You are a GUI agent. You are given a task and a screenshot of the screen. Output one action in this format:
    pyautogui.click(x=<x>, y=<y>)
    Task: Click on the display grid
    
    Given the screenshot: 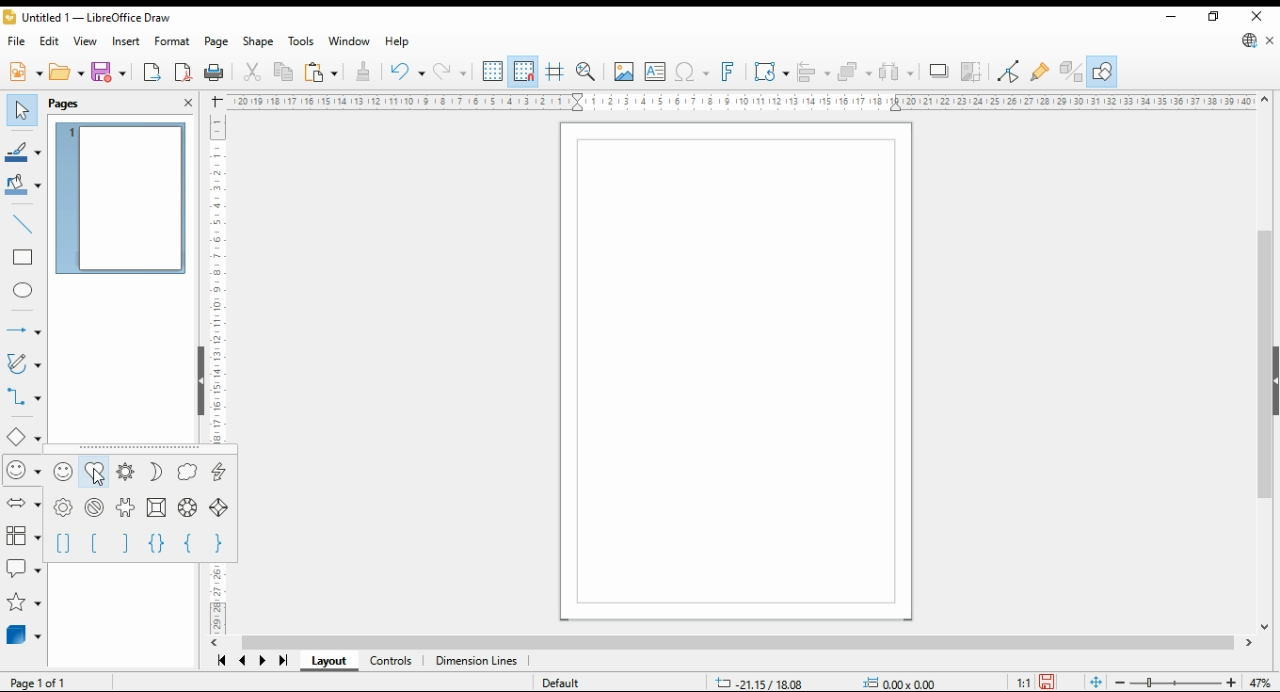 What is the action you would take?
    pyautogui.click(x=493, y=72)
    